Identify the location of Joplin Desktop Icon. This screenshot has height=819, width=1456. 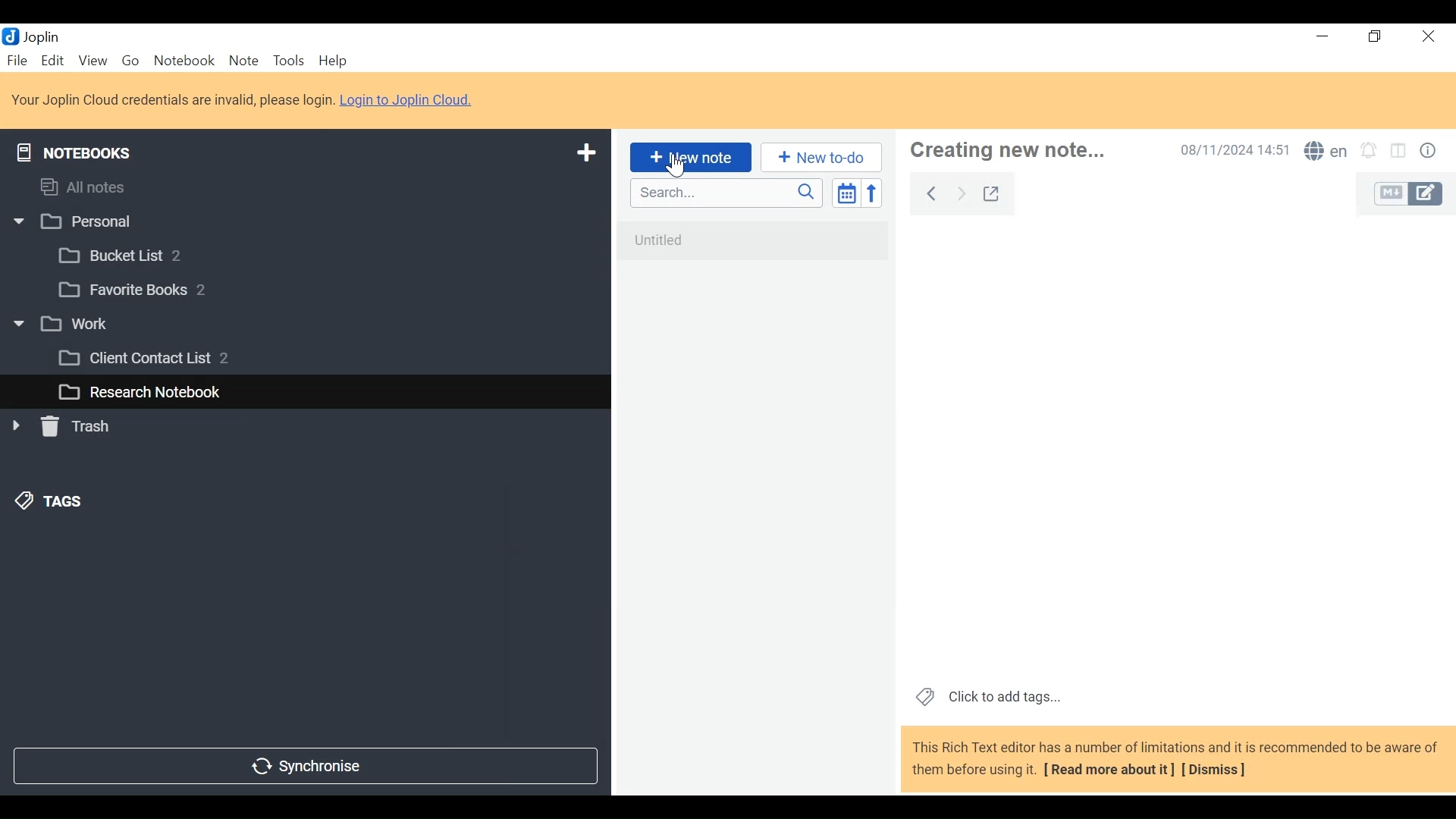
(39, 36).